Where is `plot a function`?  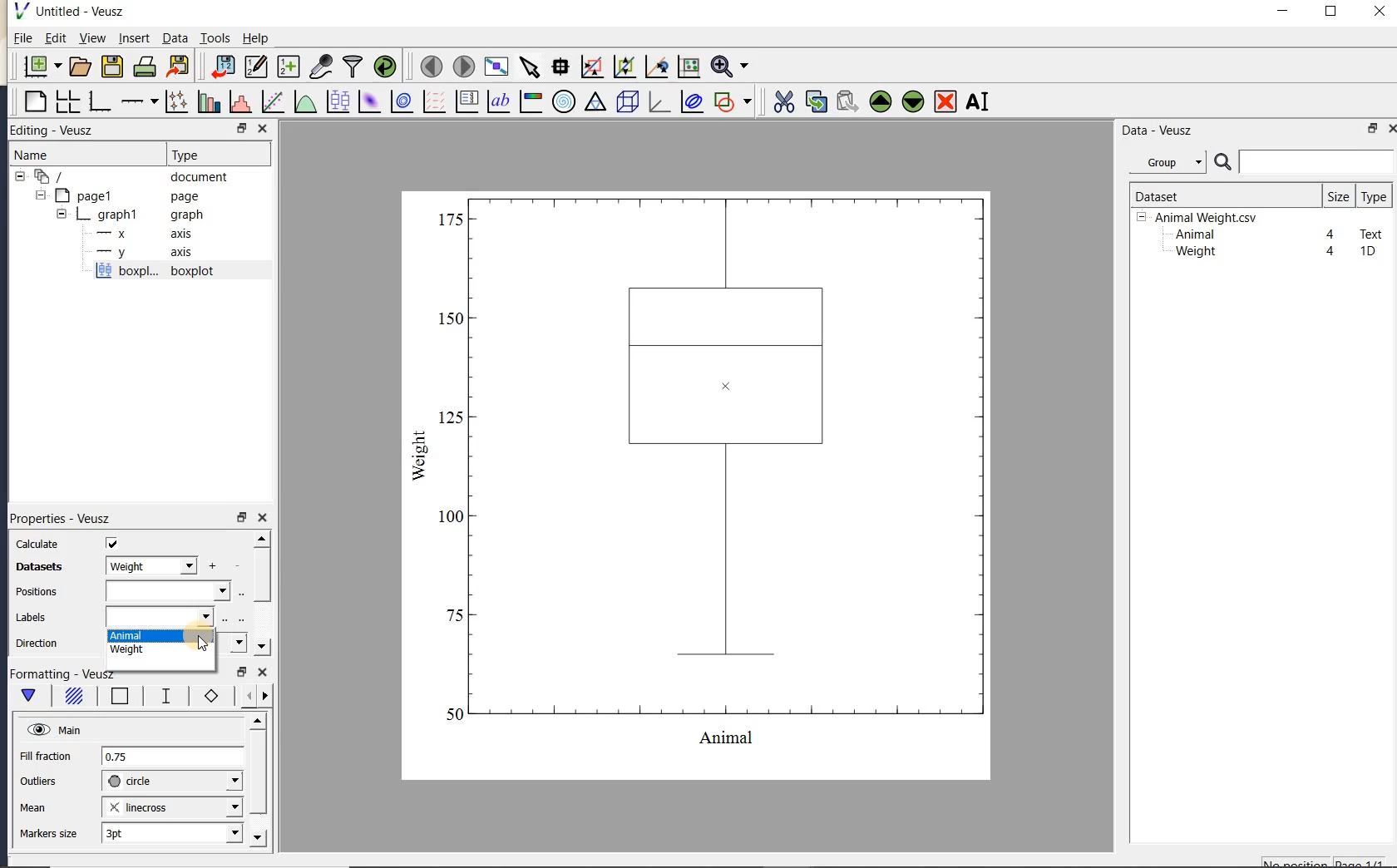
plot a function is located at coordinates (304, 104).